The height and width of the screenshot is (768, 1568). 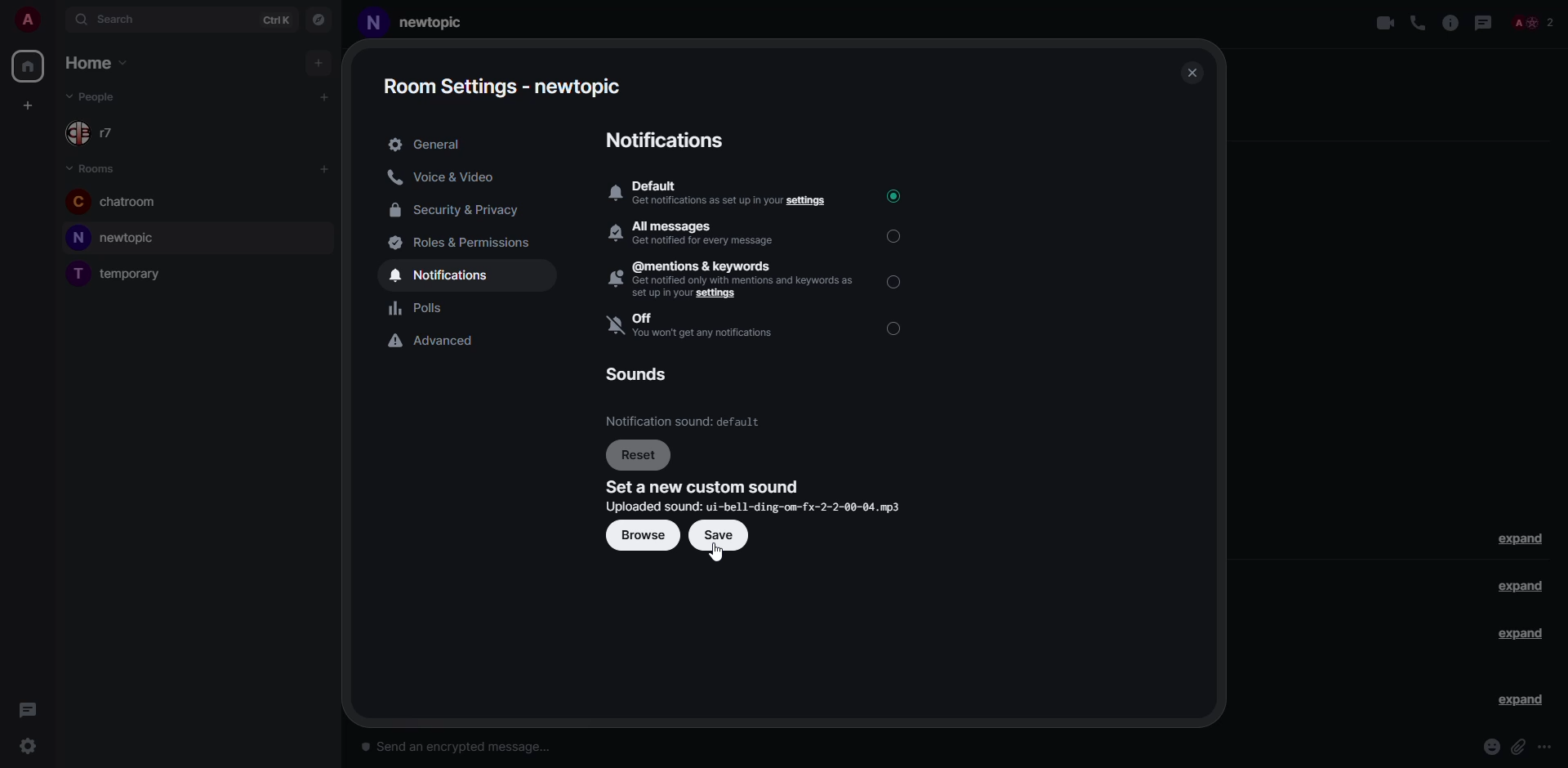 I want to click on sounds, so click(x=639, y=373).